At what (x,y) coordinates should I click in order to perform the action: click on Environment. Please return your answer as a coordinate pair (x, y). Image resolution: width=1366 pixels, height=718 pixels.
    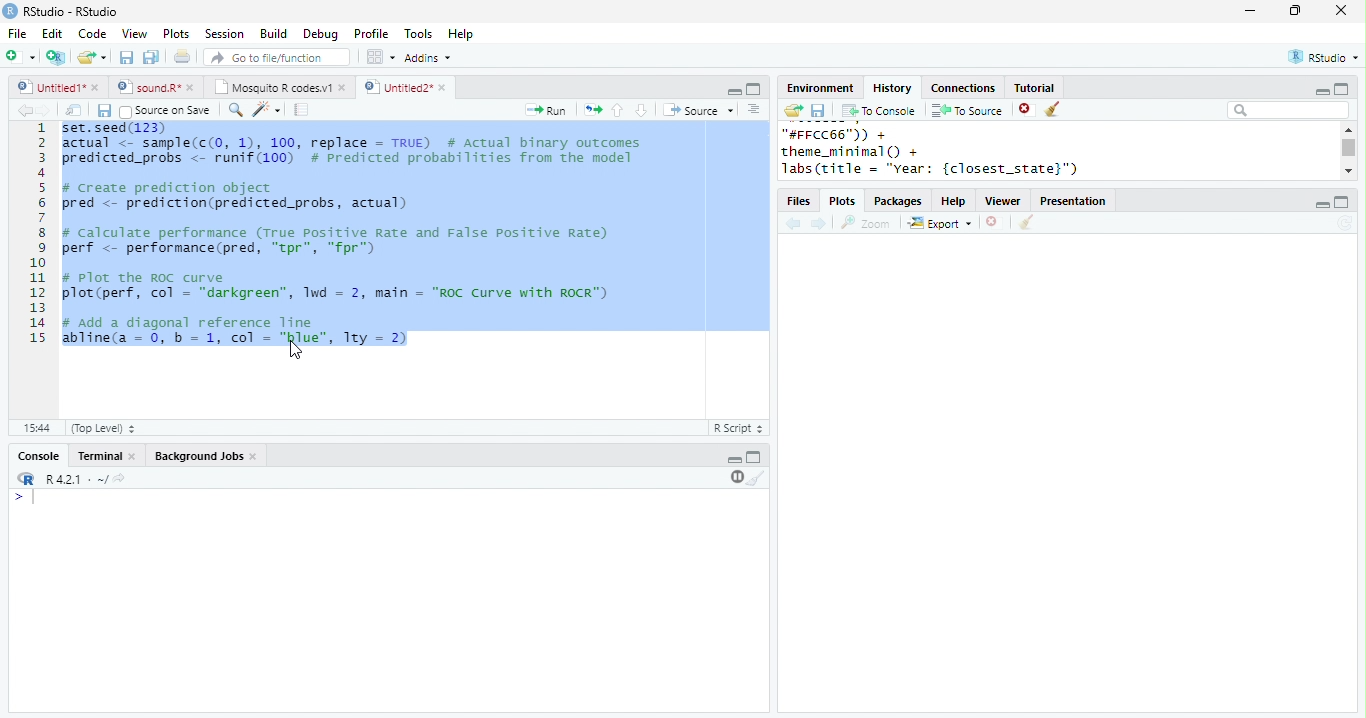
    Looking at the image, I should click on (819, 88).